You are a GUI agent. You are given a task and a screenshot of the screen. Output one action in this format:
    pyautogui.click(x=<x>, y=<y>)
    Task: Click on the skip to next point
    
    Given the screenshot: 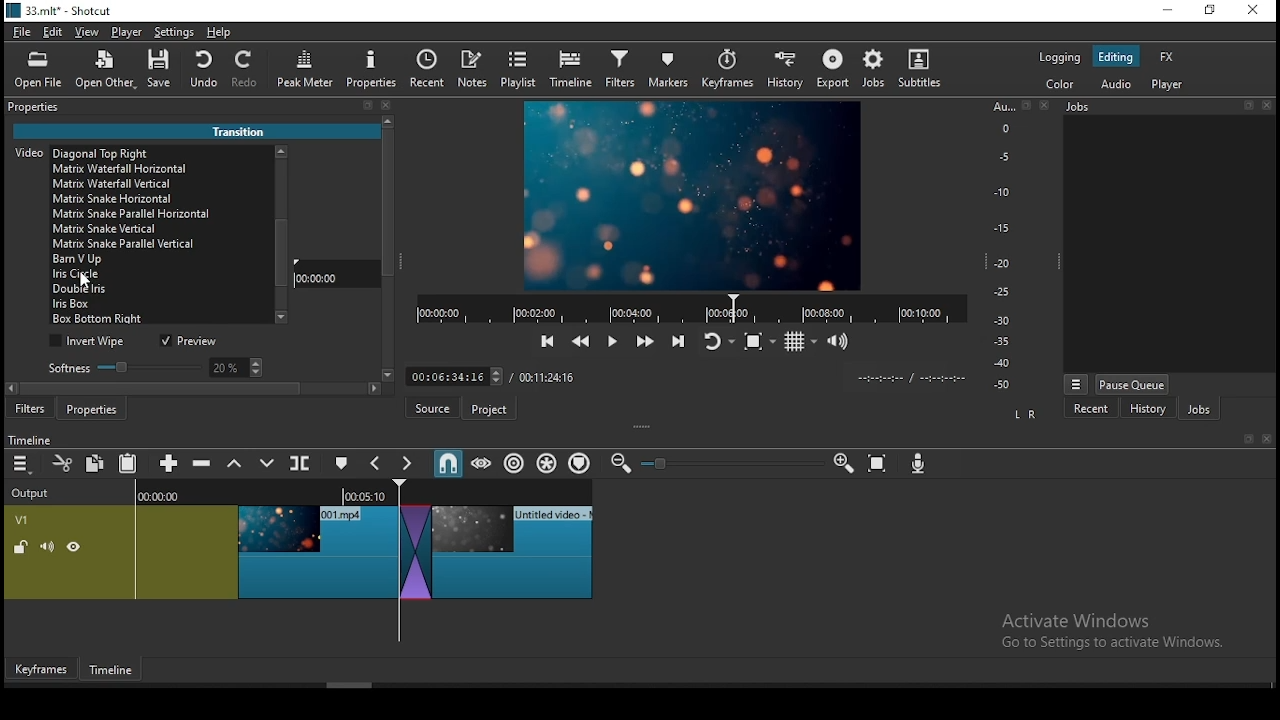 What is the action you would take?
    pyautogui.click(x=675, y=341)
    